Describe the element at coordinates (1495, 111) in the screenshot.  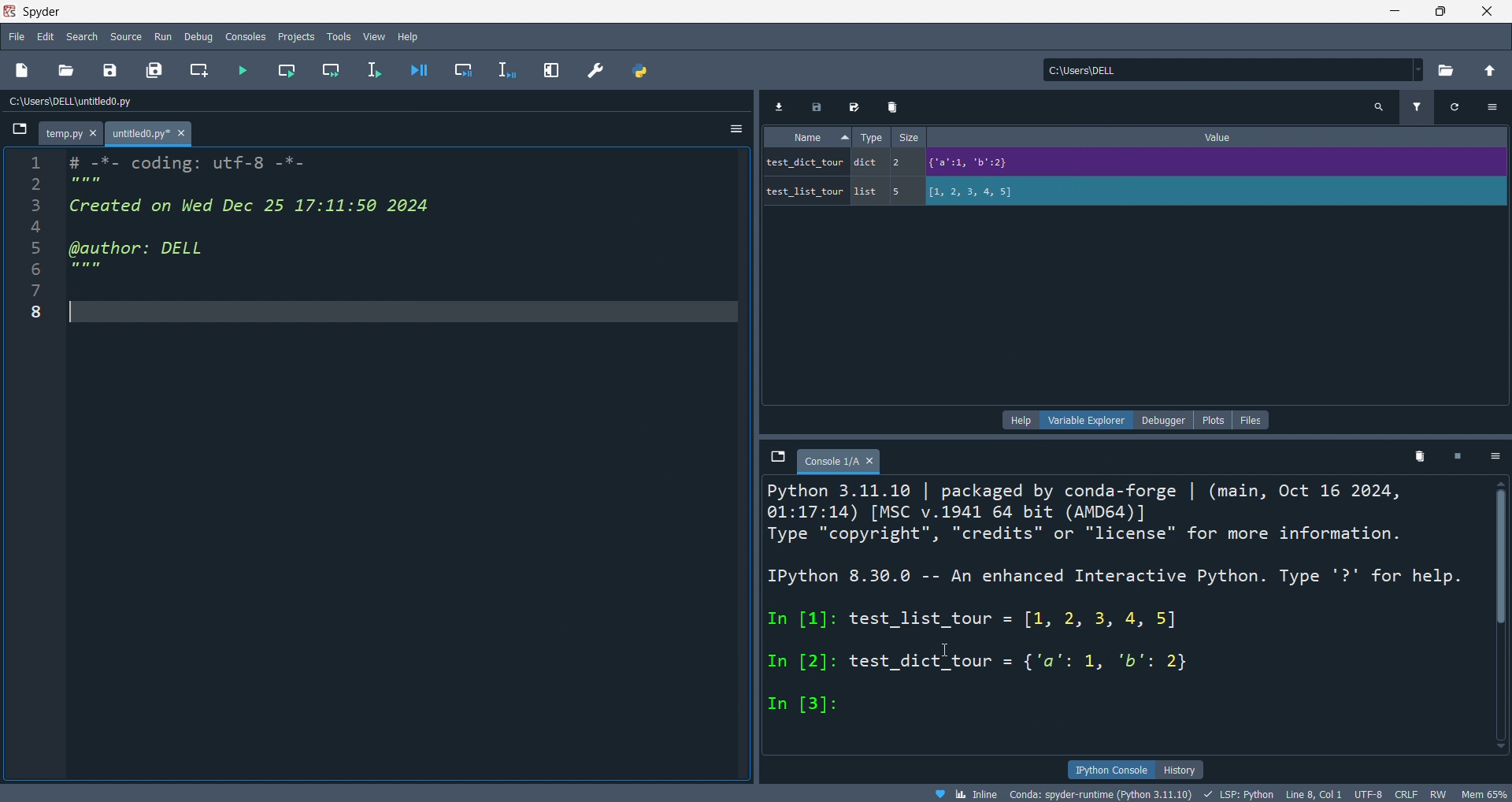
I see `options` at that location.